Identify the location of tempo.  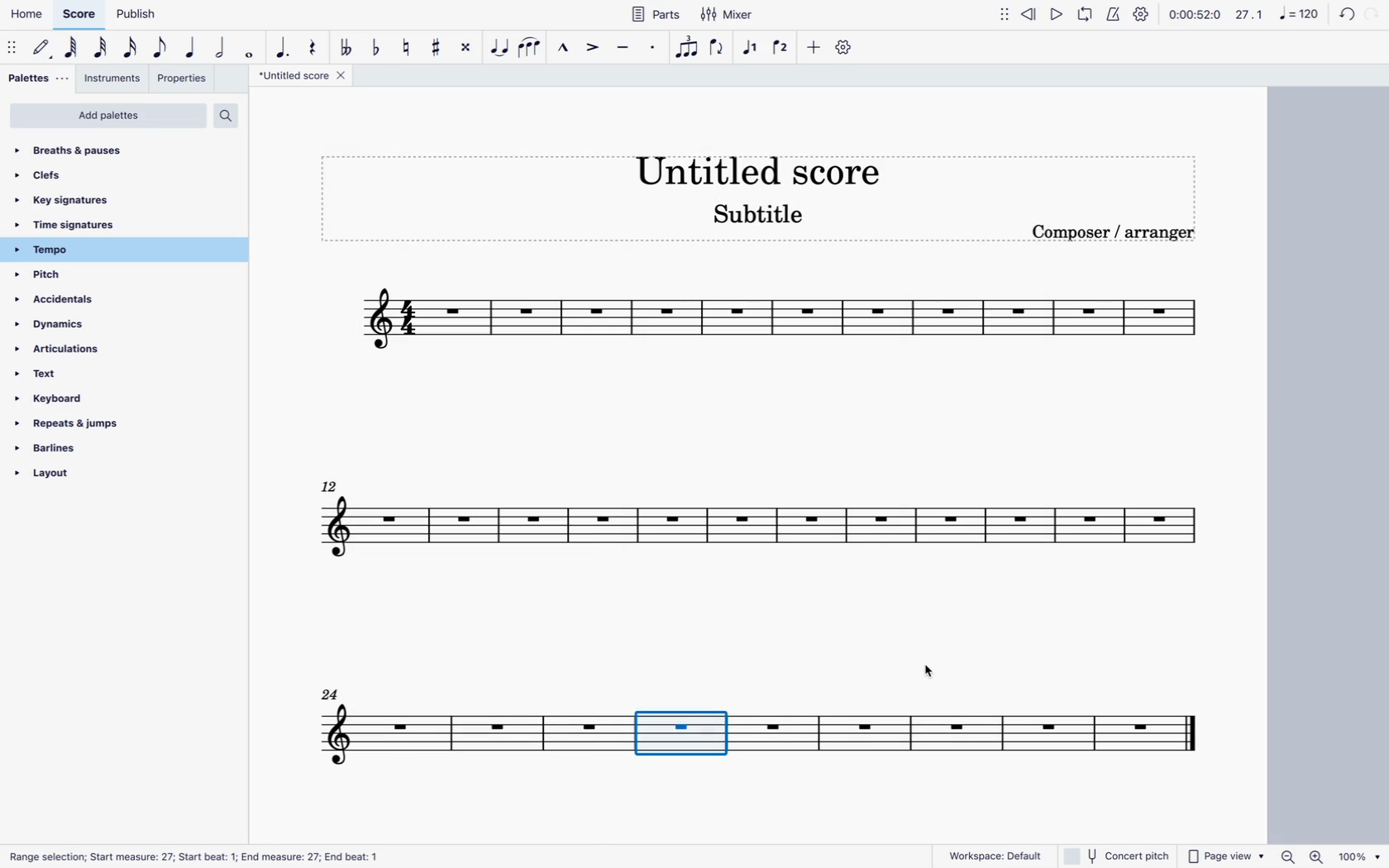
(105, 251).